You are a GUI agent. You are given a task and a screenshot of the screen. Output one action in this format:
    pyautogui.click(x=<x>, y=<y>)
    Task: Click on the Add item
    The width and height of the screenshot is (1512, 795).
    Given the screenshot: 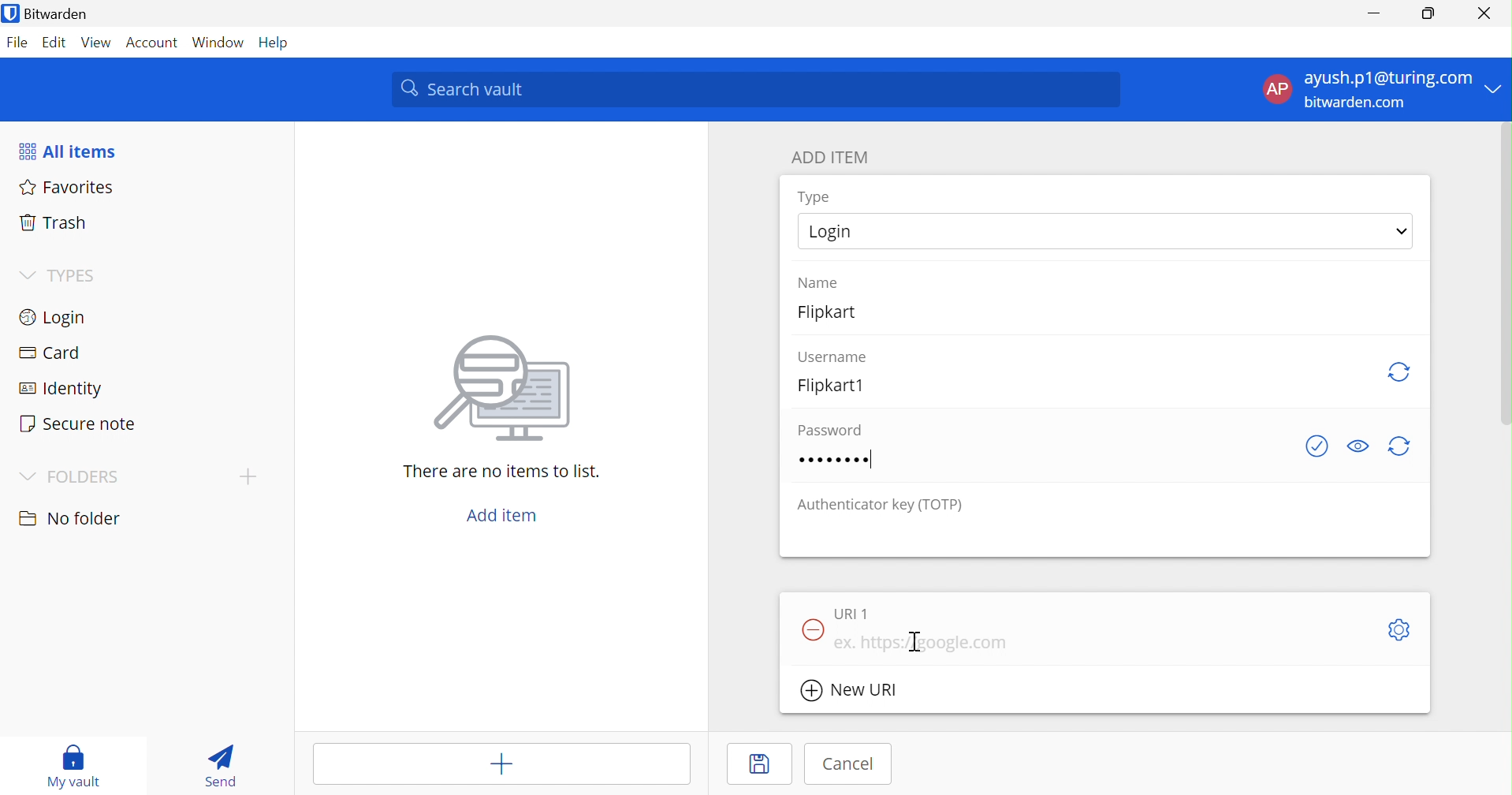 What is the action you would take?
    pyautogui.click(x=503, y=516)
    